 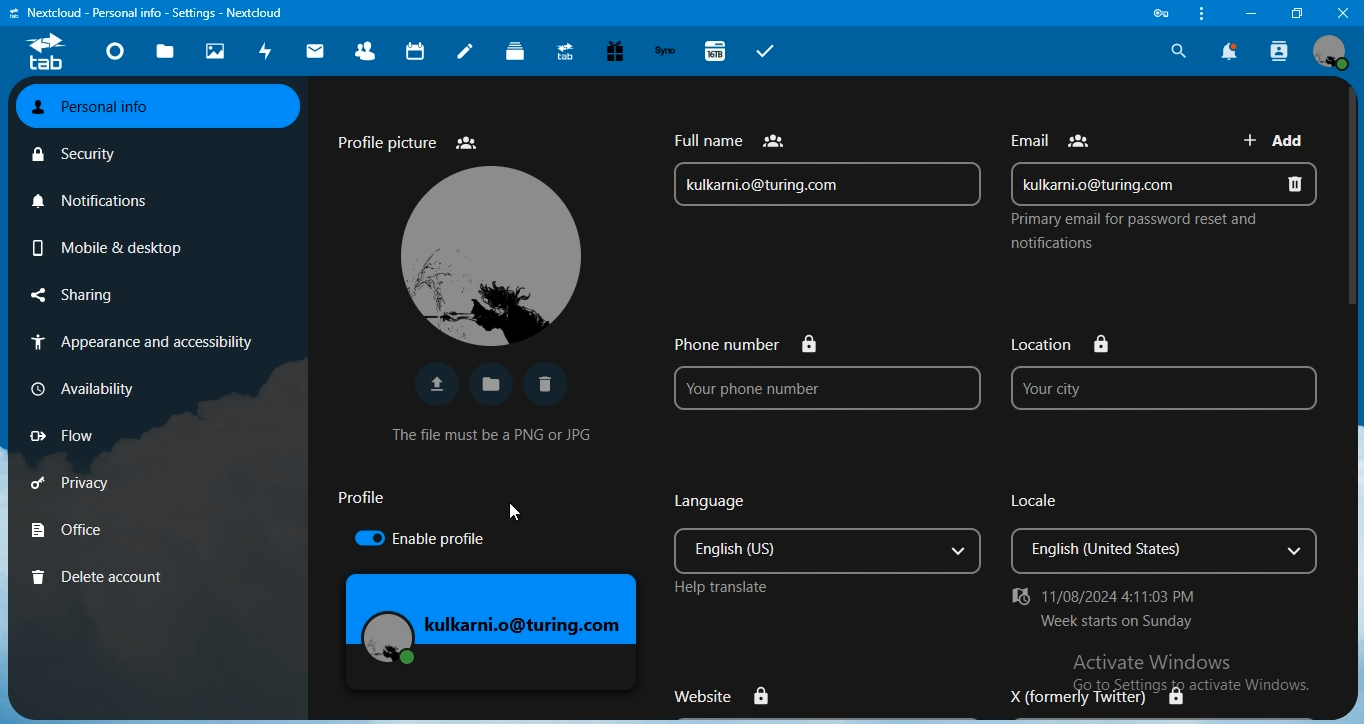 I want to click on view profile, so click(x=1331, y=51).